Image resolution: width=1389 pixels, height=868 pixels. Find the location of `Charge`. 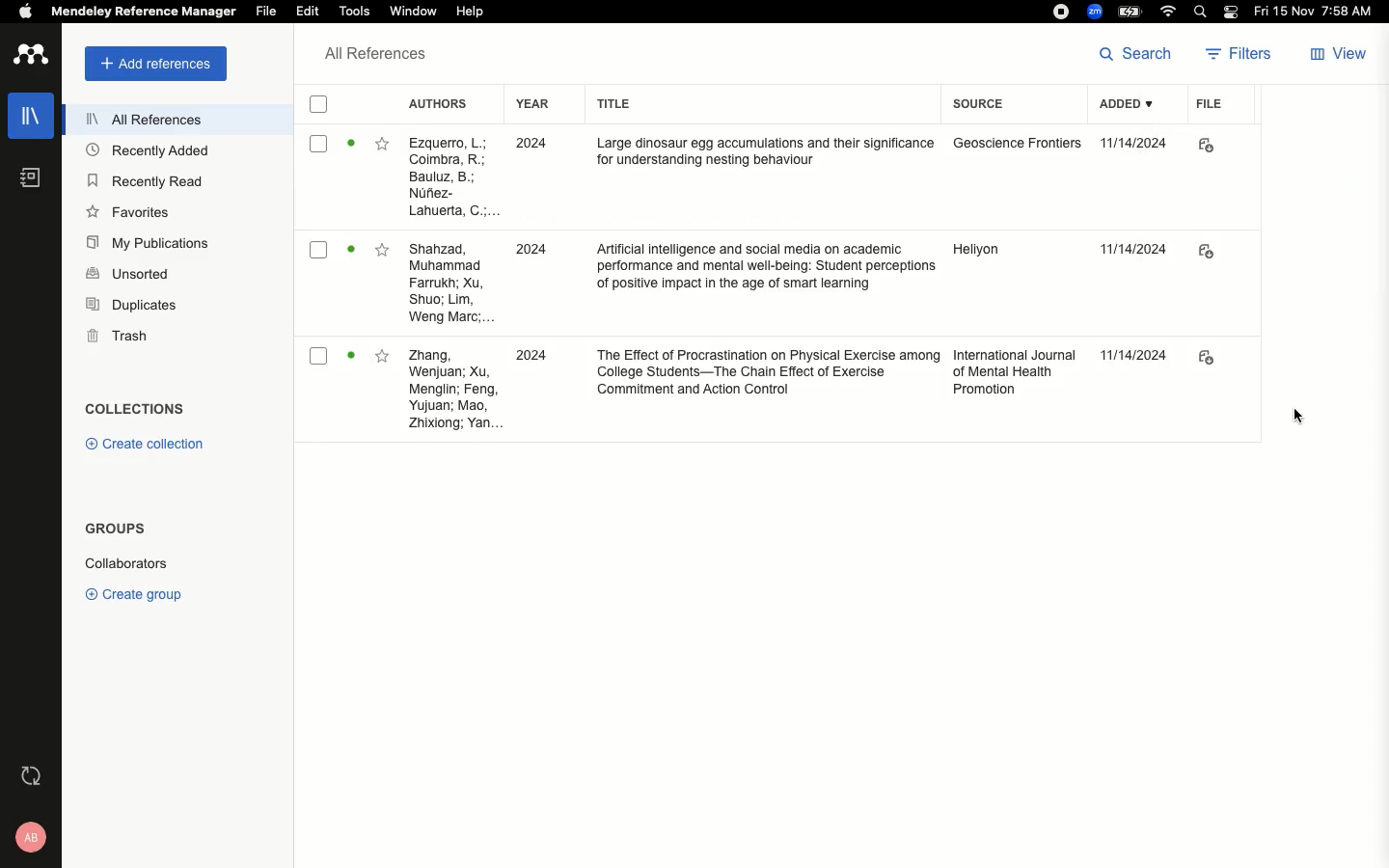

Charge is located at coordinates (1130, 12).